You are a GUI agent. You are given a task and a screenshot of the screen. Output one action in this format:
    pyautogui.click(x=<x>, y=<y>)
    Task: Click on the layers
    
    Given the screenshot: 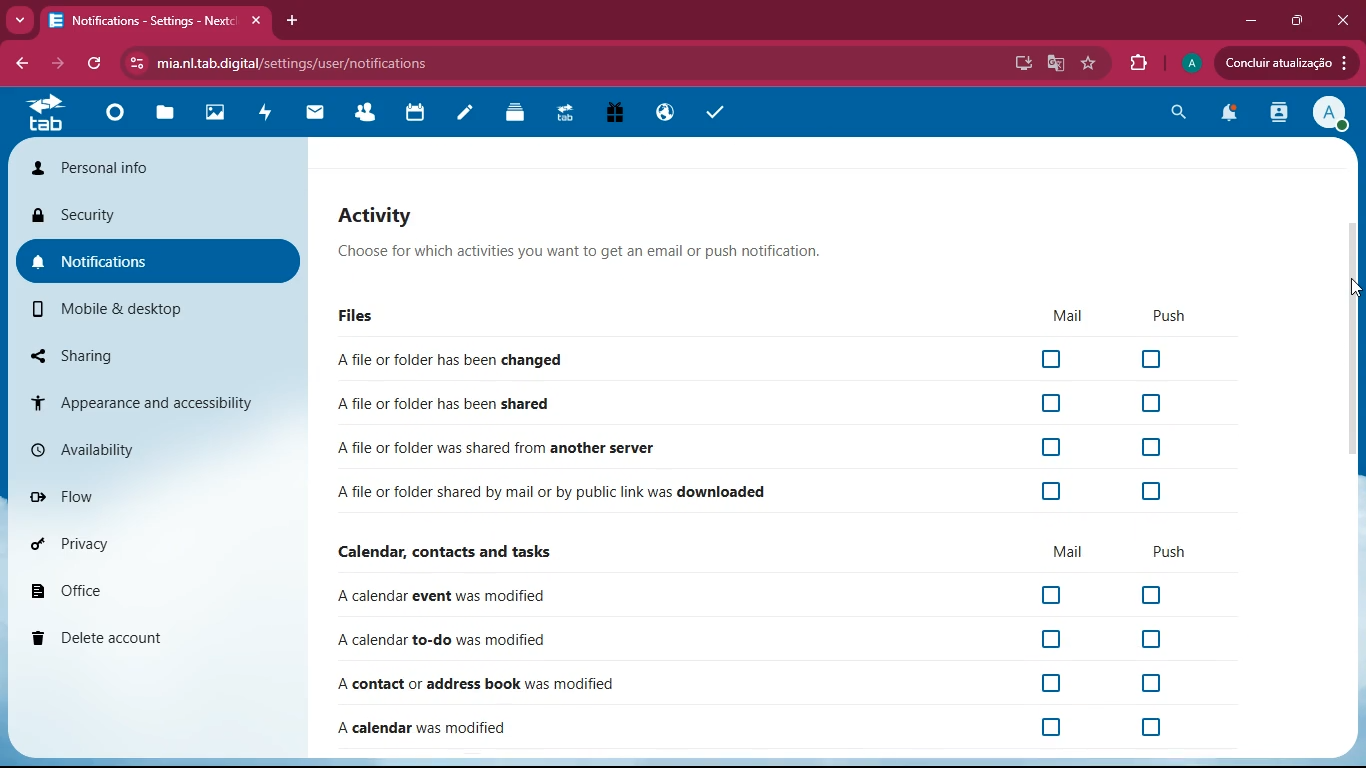 What is the action you would take?
    pyautogui.click(x=516, y=117)
    